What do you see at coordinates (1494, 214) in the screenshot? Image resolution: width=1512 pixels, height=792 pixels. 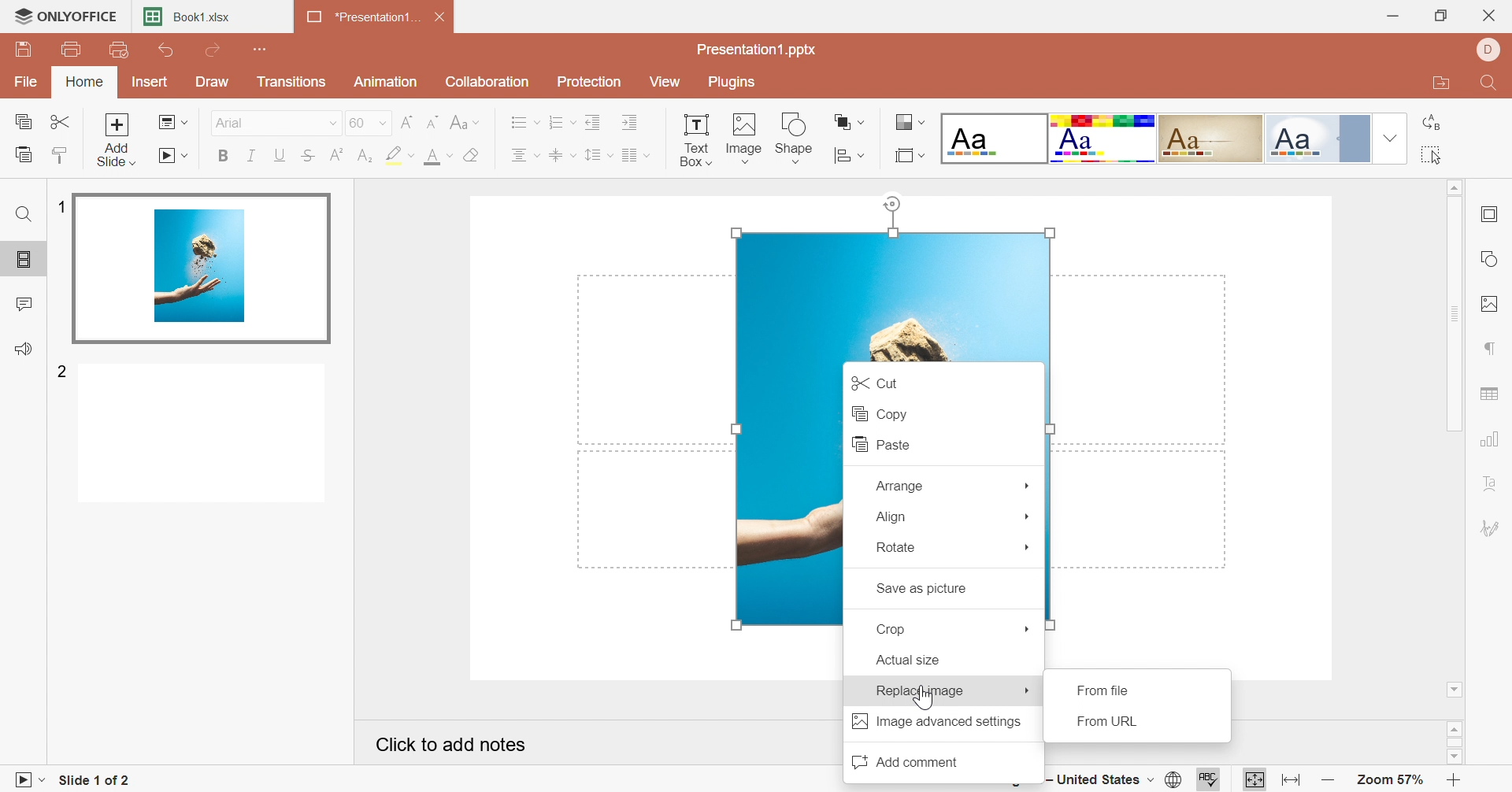 I see `slide settings` at bounding box center [1494, 214].